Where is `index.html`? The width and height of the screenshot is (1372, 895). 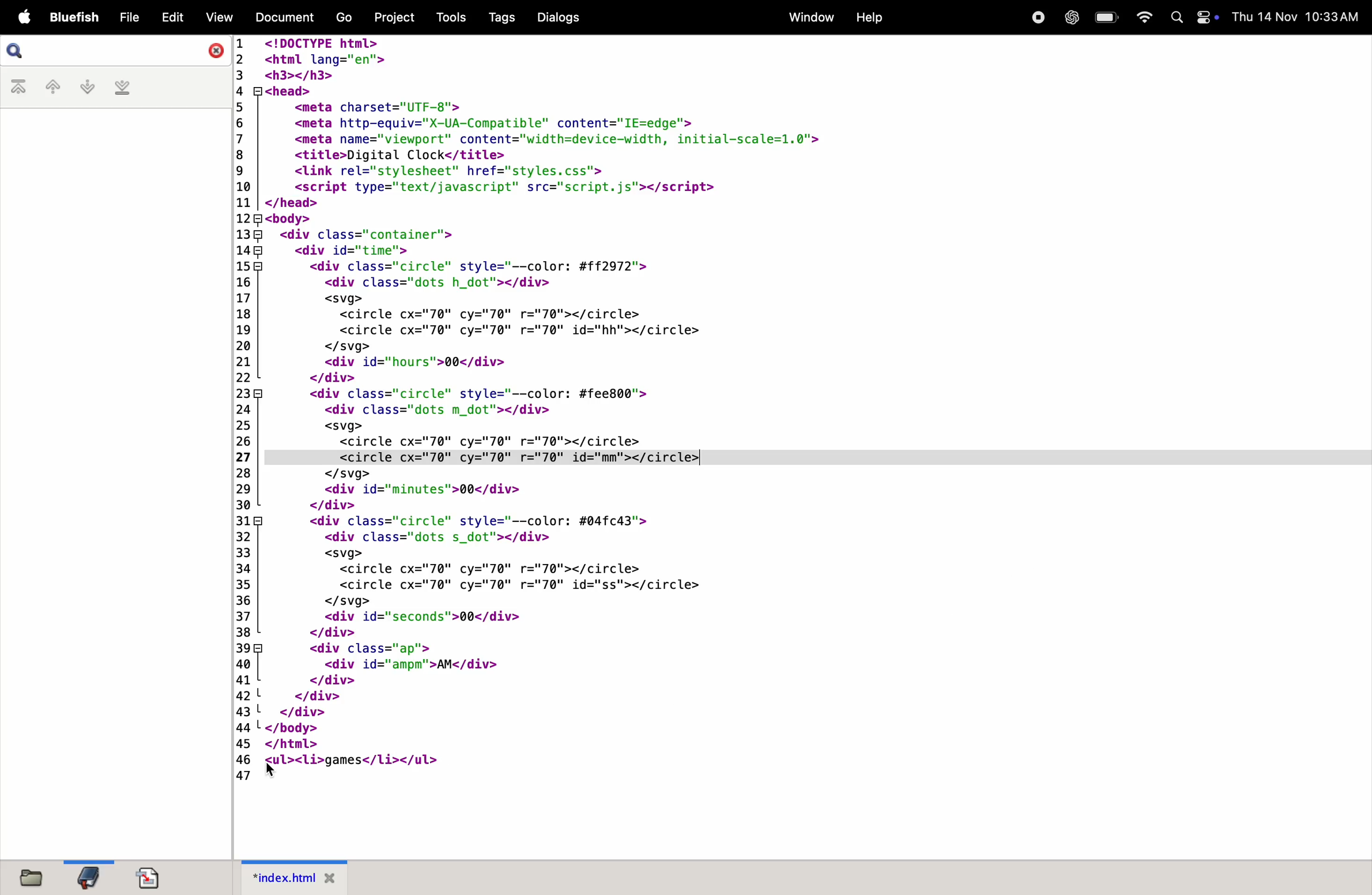 index.html is located at coordinates (295, 877).